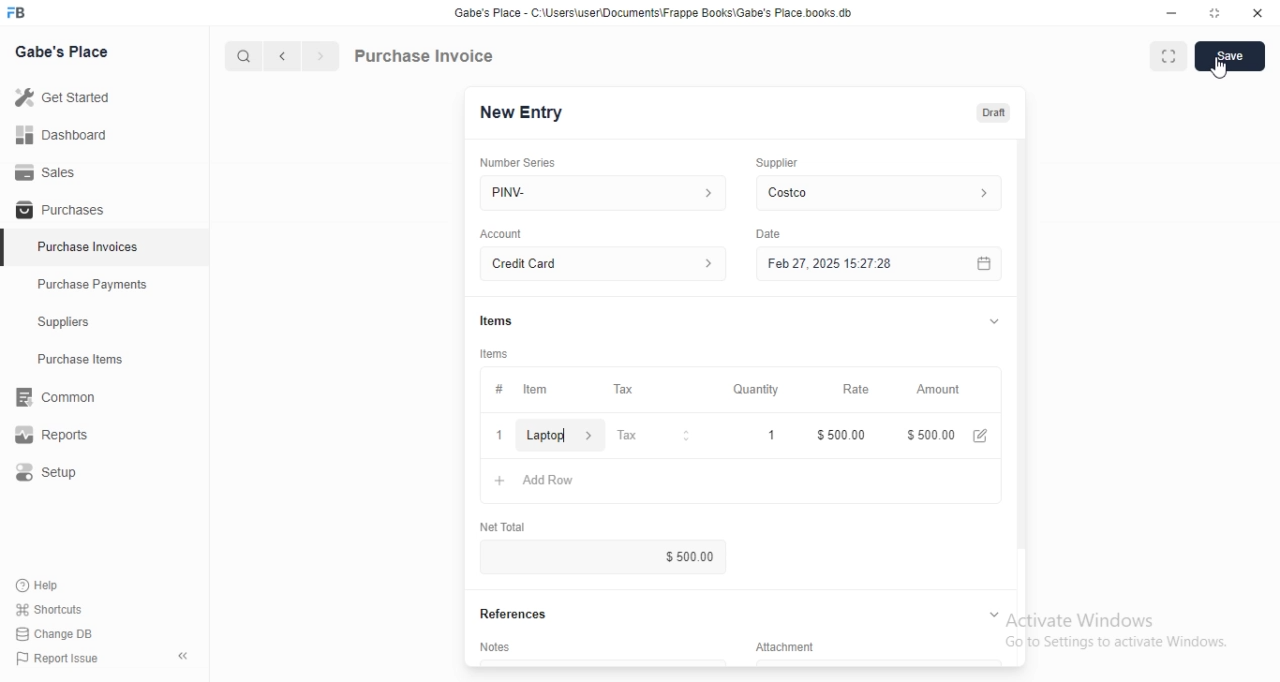 The image size is (1280, 682). What do you see at coordinates (994, 321) in the screenshot?
I see `Collapse` at bounding box center [994, 321].